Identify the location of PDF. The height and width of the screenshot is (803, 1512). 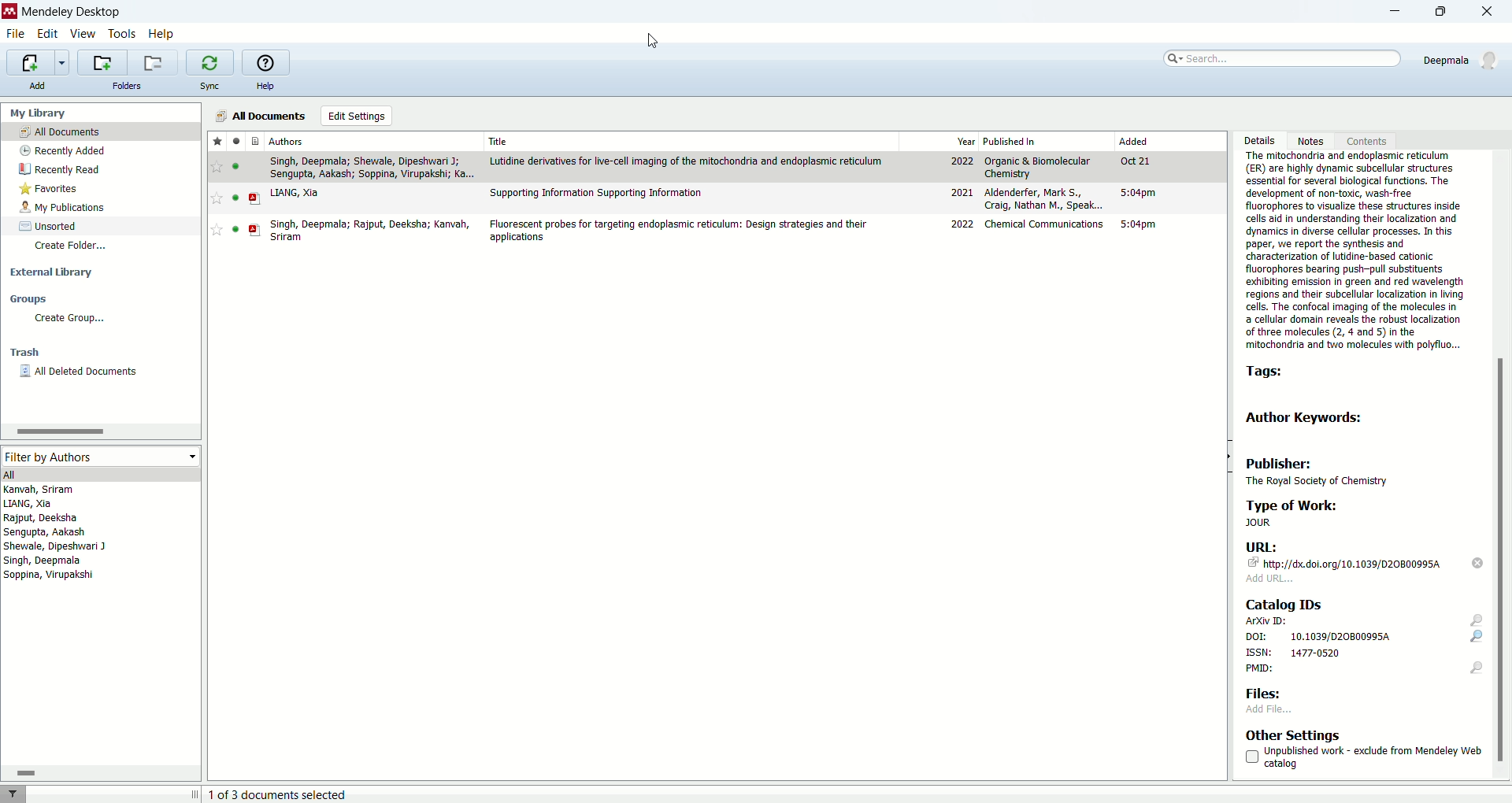
(255, 199).